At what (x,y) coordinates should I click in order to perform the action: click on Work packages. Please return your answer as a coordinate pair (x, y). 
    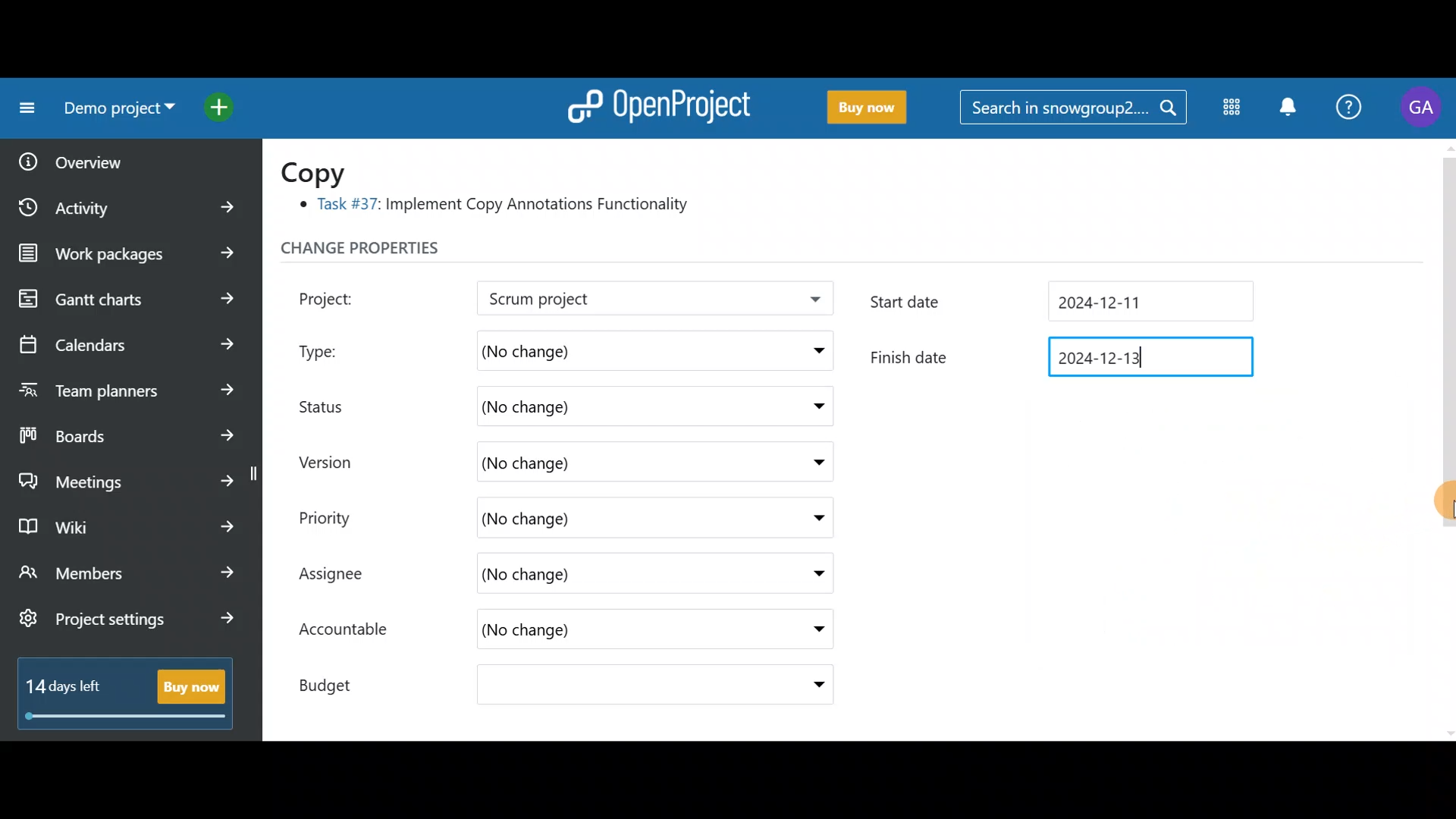
    Looking at the image, I should click on (130, 253).